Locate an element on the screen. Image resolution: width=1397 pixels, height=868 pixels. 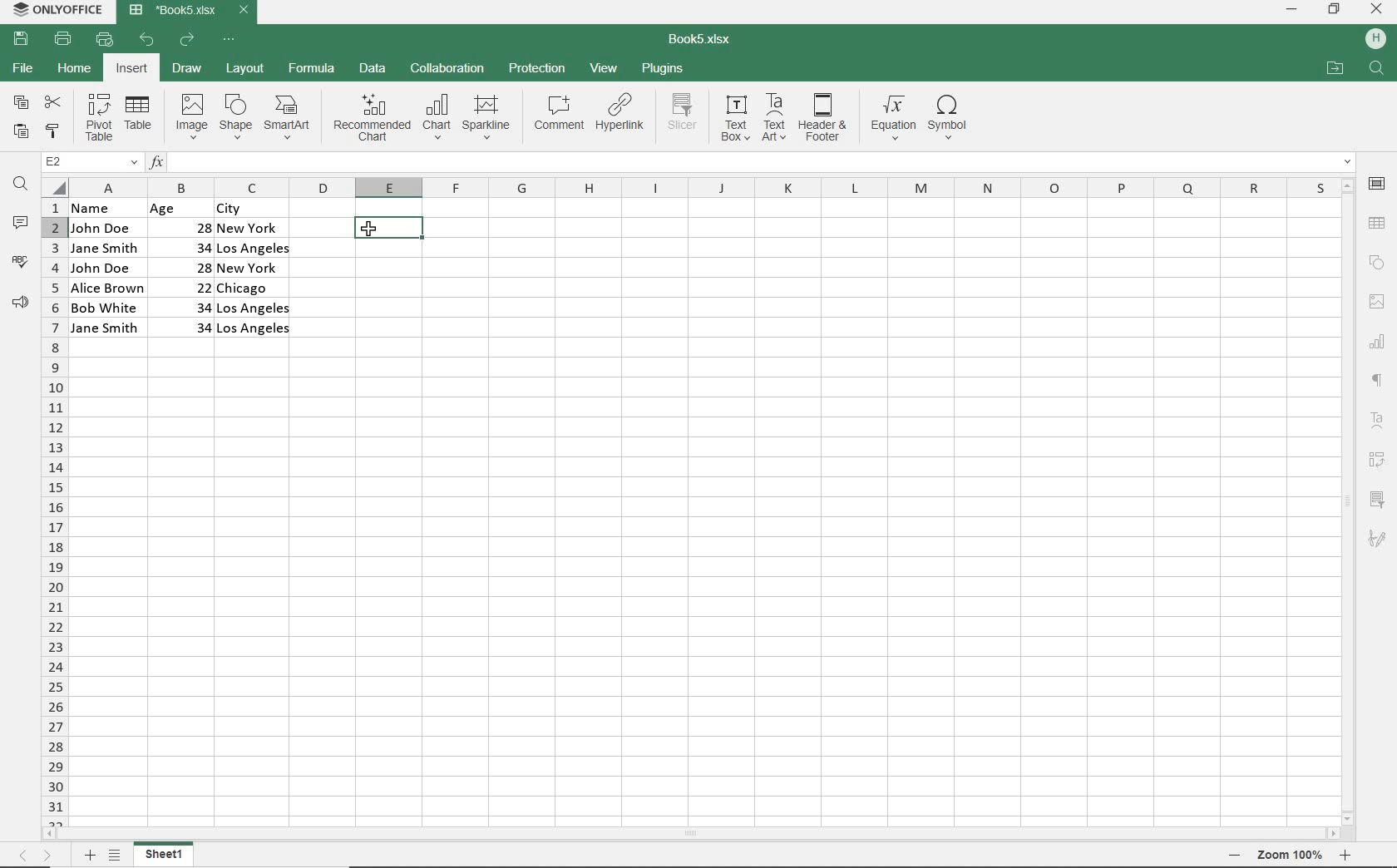
ZOOM IN is located at coordinates (1348, 855).